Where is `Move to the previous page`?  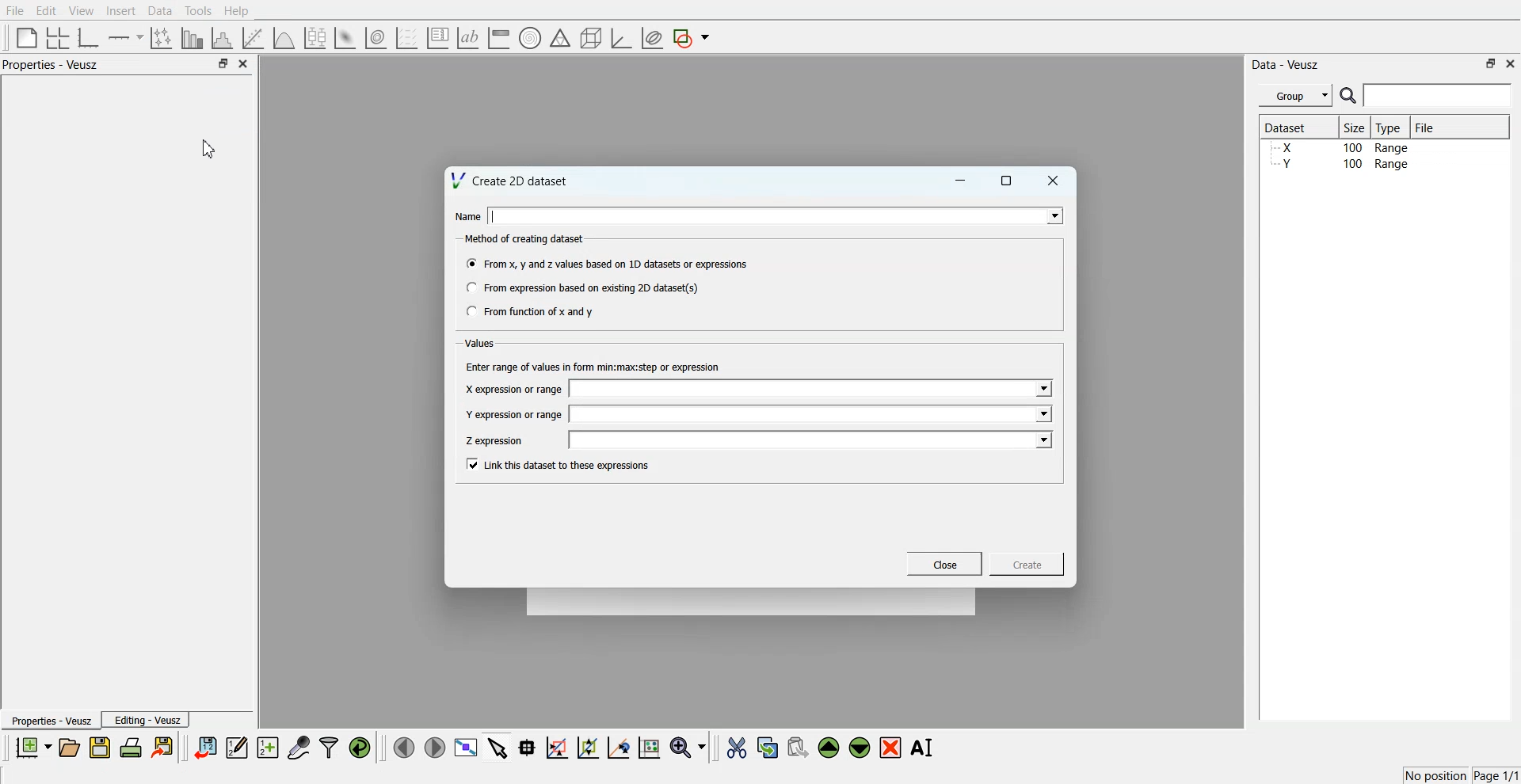
Move to the previous page is located at coordinates (404, 747).